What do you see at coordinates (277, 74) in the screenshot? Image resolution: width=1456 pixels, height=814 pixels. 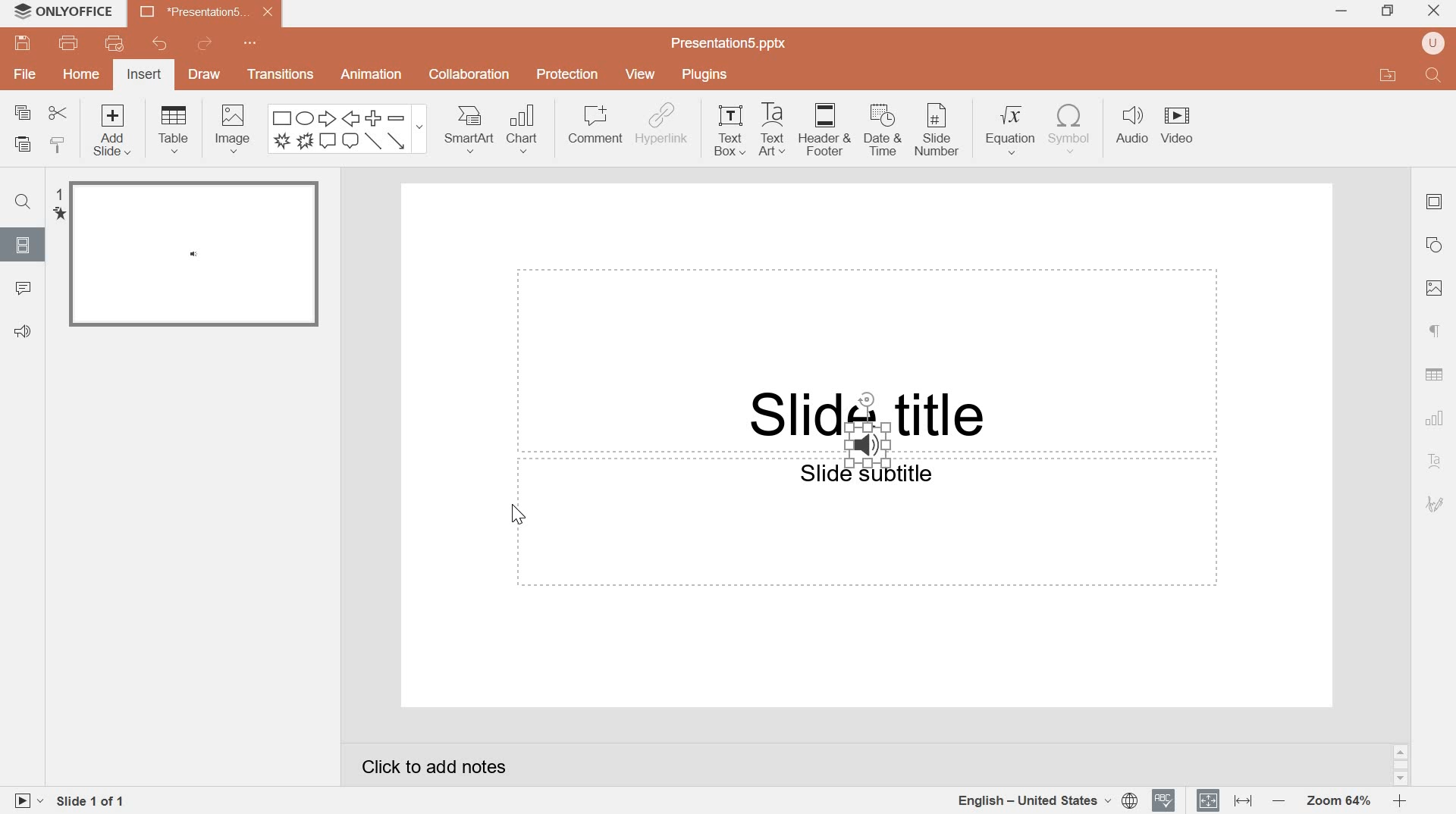 I see `Transitions` at bounding box center [277, 74].